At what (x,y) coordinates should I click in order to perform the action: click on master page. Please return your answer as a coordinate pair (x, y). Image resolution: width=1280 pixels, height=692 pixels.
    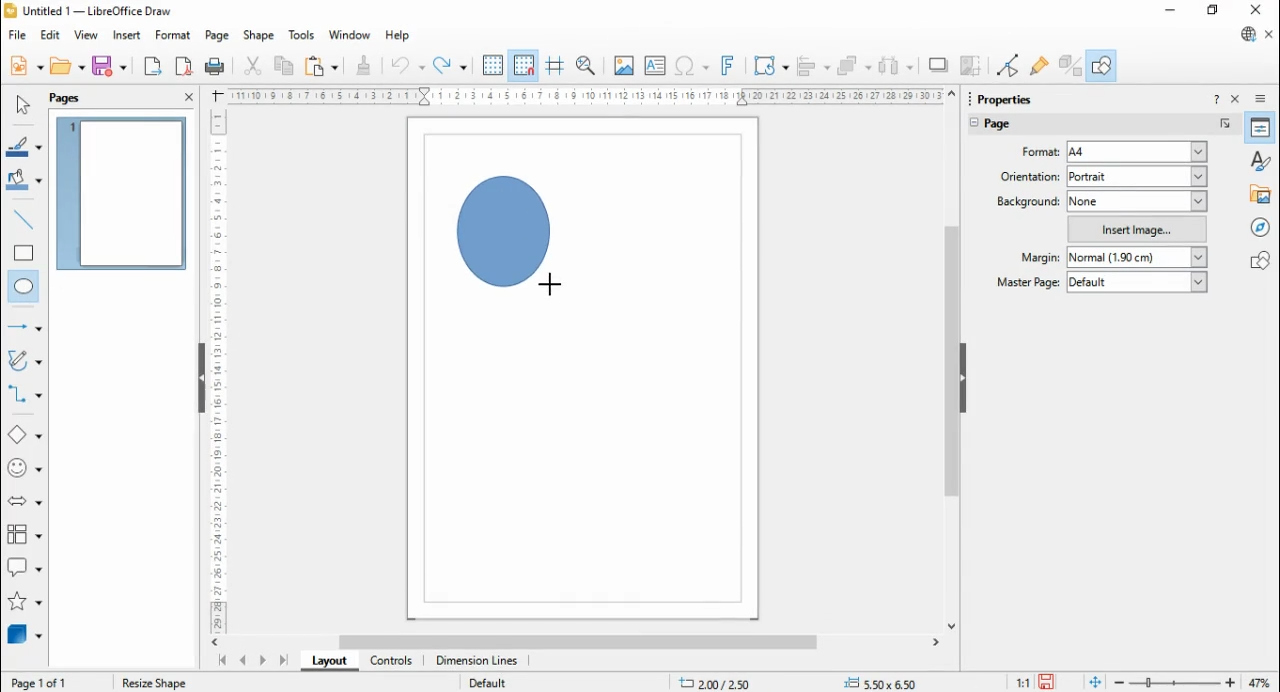
    Looking at the image, I should click on (1031, 282).